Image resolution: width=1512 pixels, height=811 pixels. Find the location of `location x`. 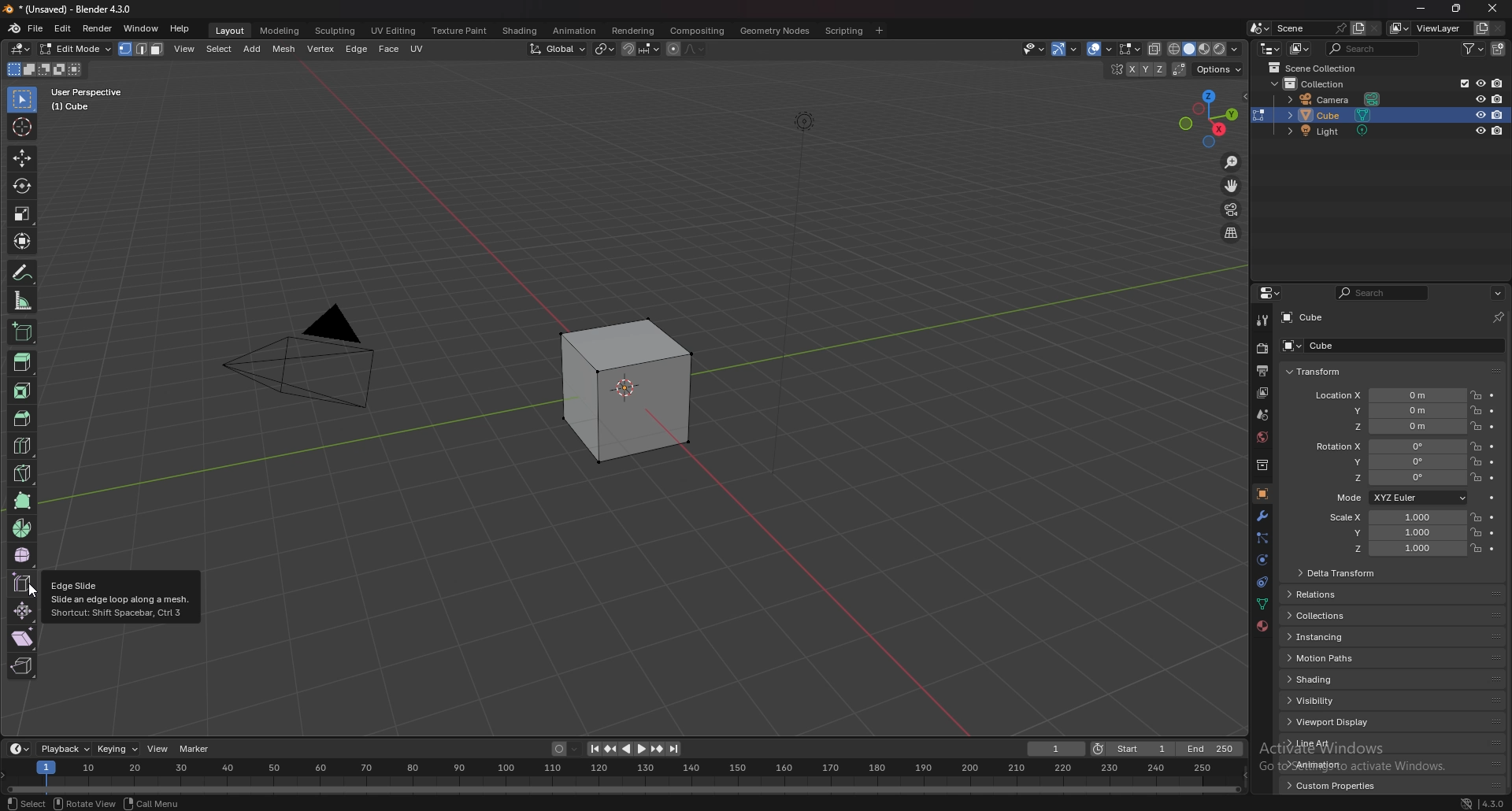

location x is located at coordinates (1385, 395).